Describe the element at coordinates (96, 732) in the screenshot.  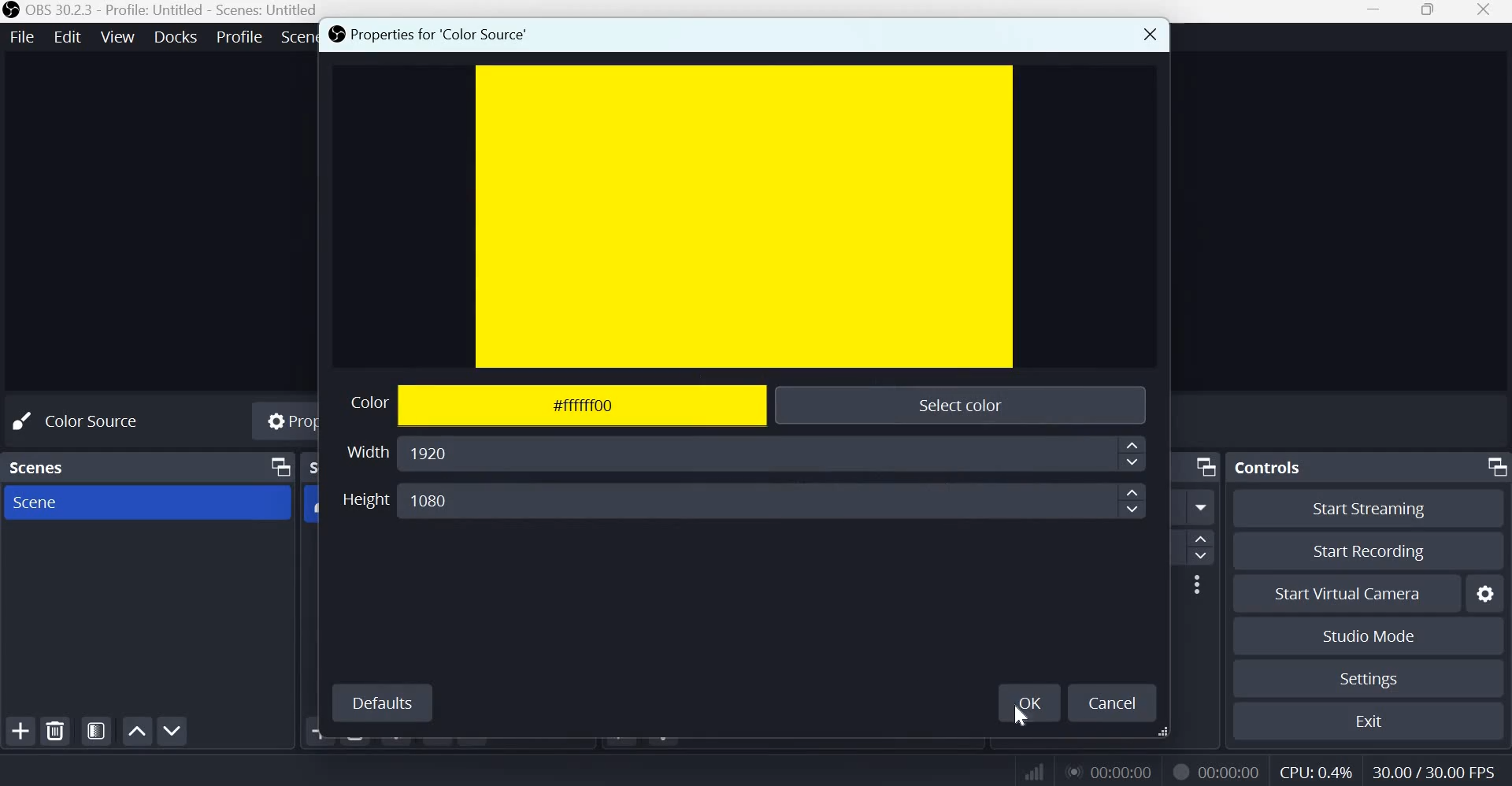
I see `Open scene filters` at that location.